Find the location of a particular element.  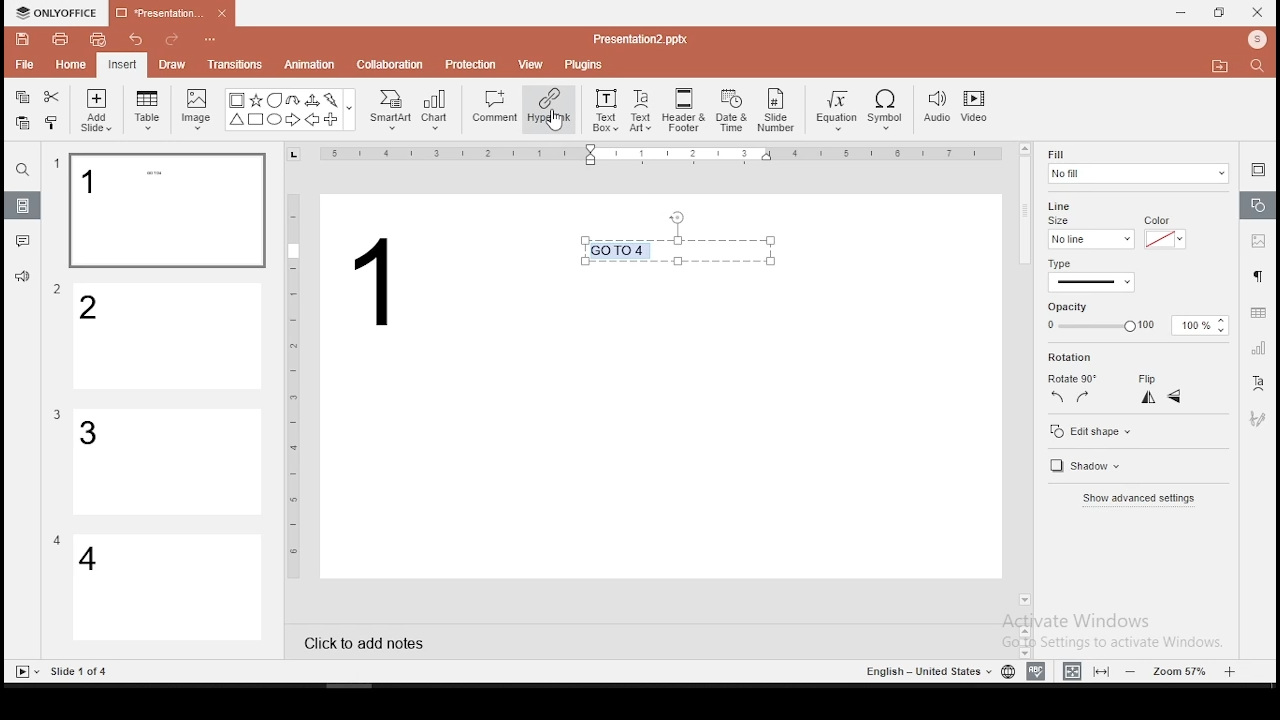

fit to width is located at coordinates (1068, 670).